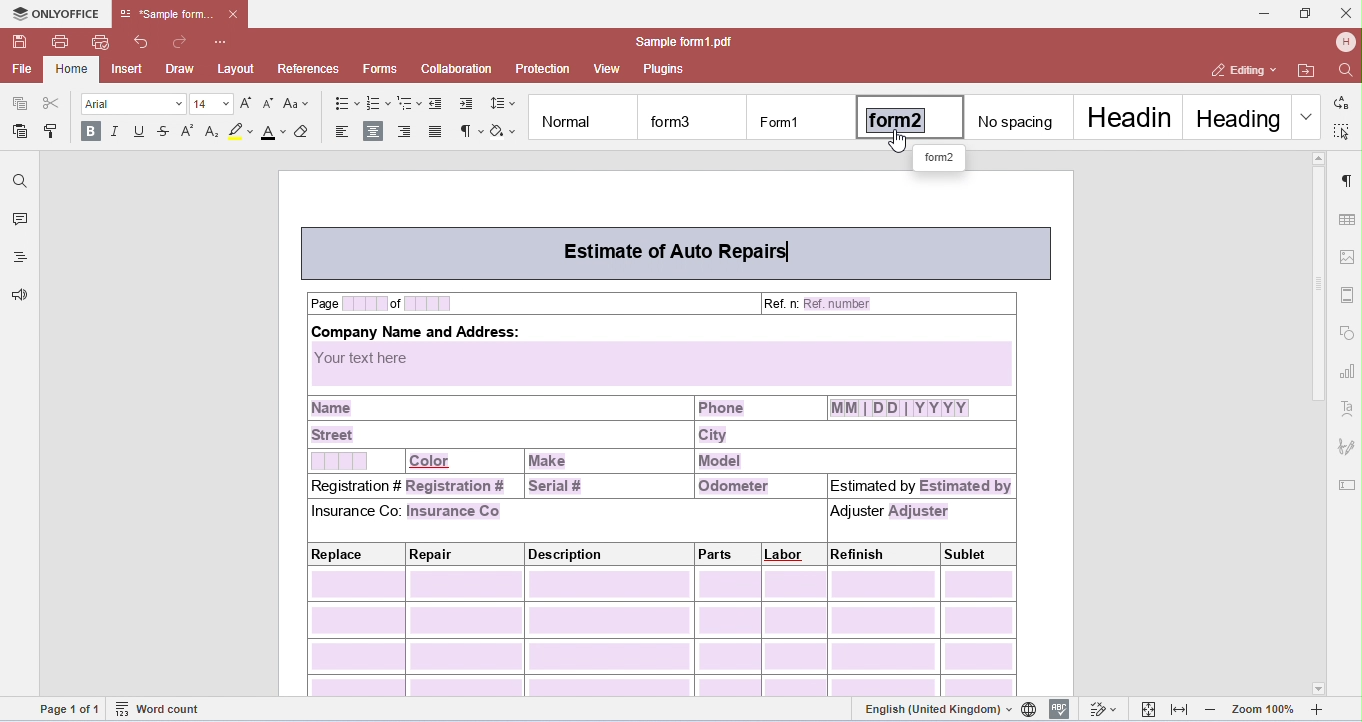 The image size is (1362, 722). I want to click on multilevel list, so click(409, 104).